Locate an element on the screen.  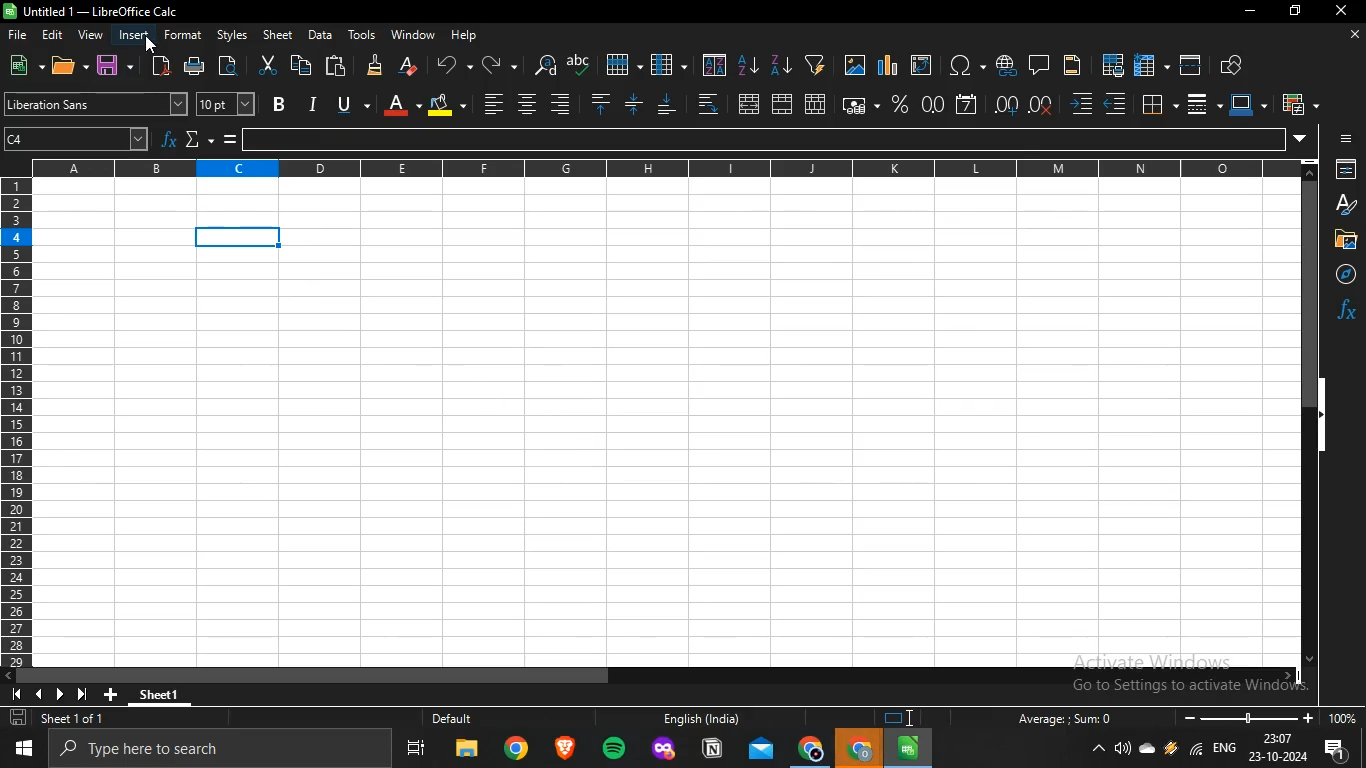
oom is located at coordinates (1268, 716).